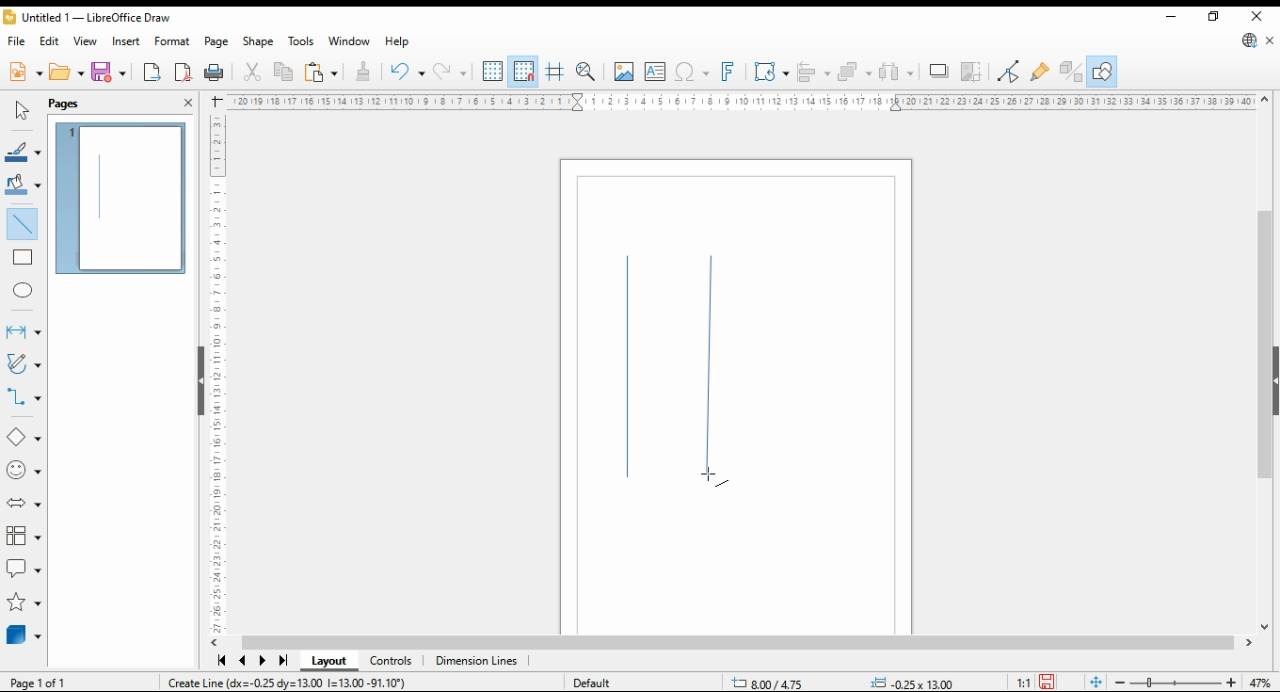 This screenshot has width=1280, height=692. What do you see at coordinates (692, 72) in the screenshot?
I see `insert special characters` at bounding box center [692, 72].